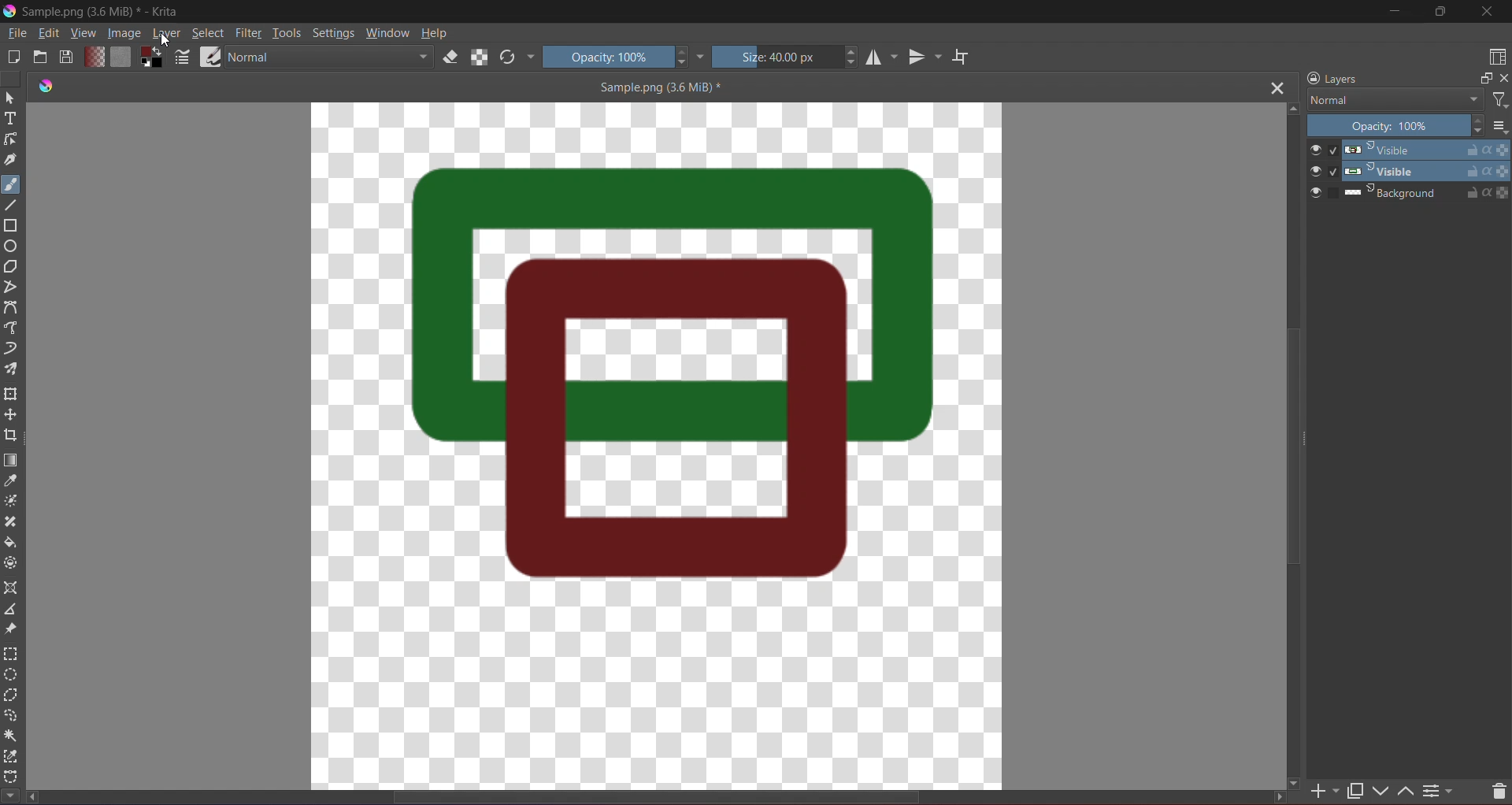  I want to click on Elliptical Selection, so click(10, 675).